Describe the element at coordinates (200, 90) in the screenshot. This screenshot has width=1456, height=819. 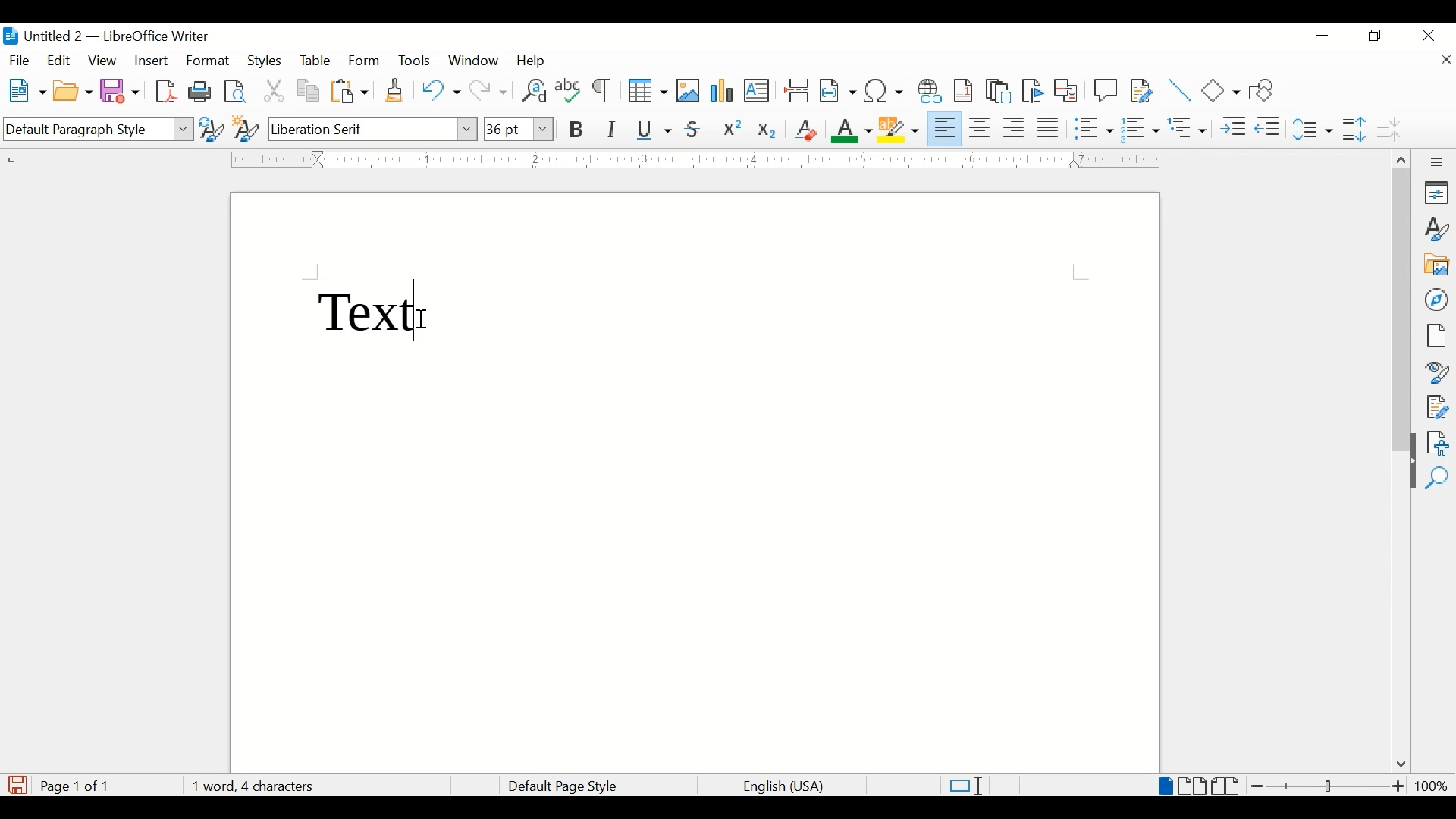
I see `print` at that location.